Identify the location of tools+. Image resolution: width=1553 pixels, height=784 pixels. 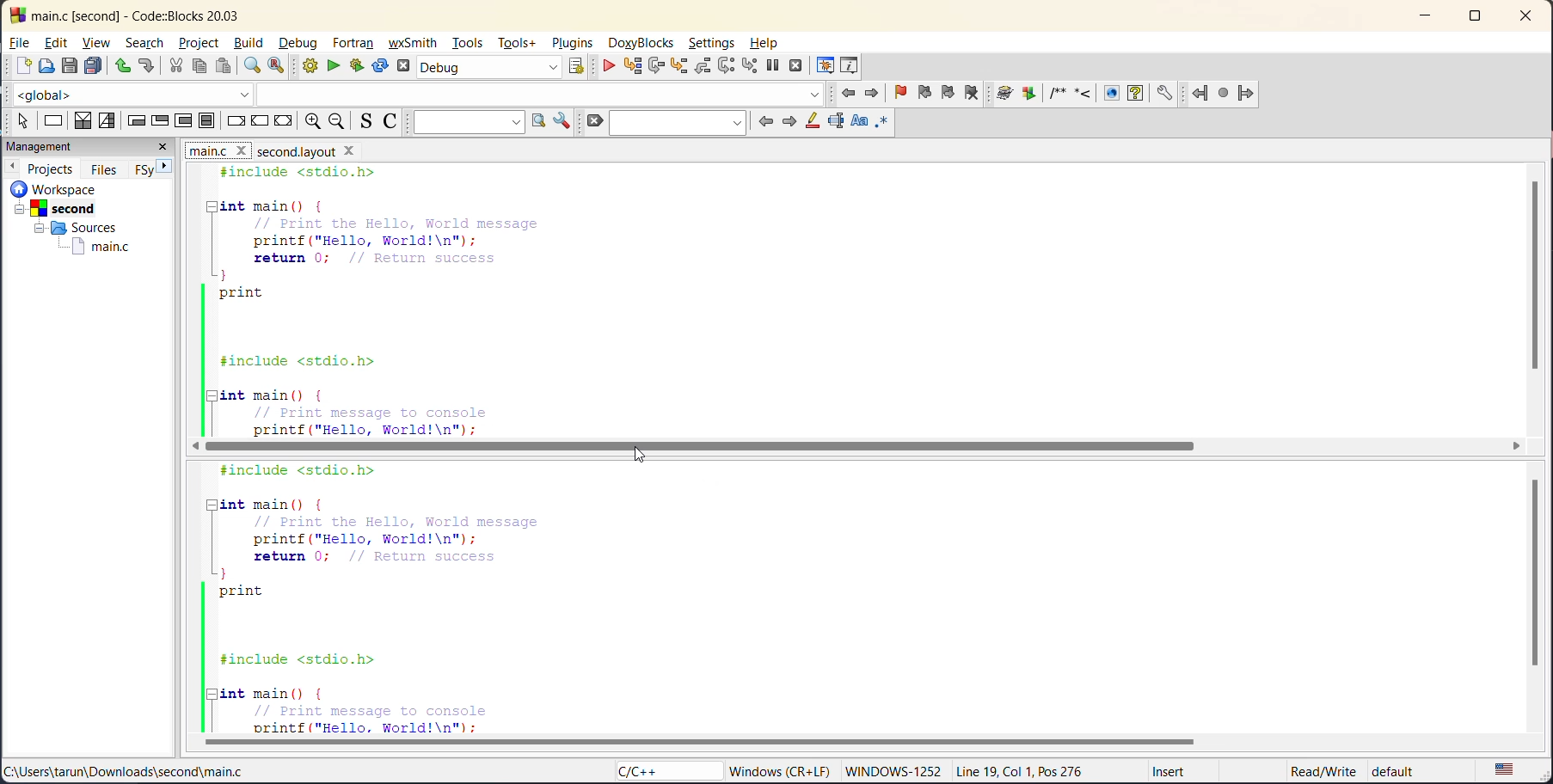
(520, 43).